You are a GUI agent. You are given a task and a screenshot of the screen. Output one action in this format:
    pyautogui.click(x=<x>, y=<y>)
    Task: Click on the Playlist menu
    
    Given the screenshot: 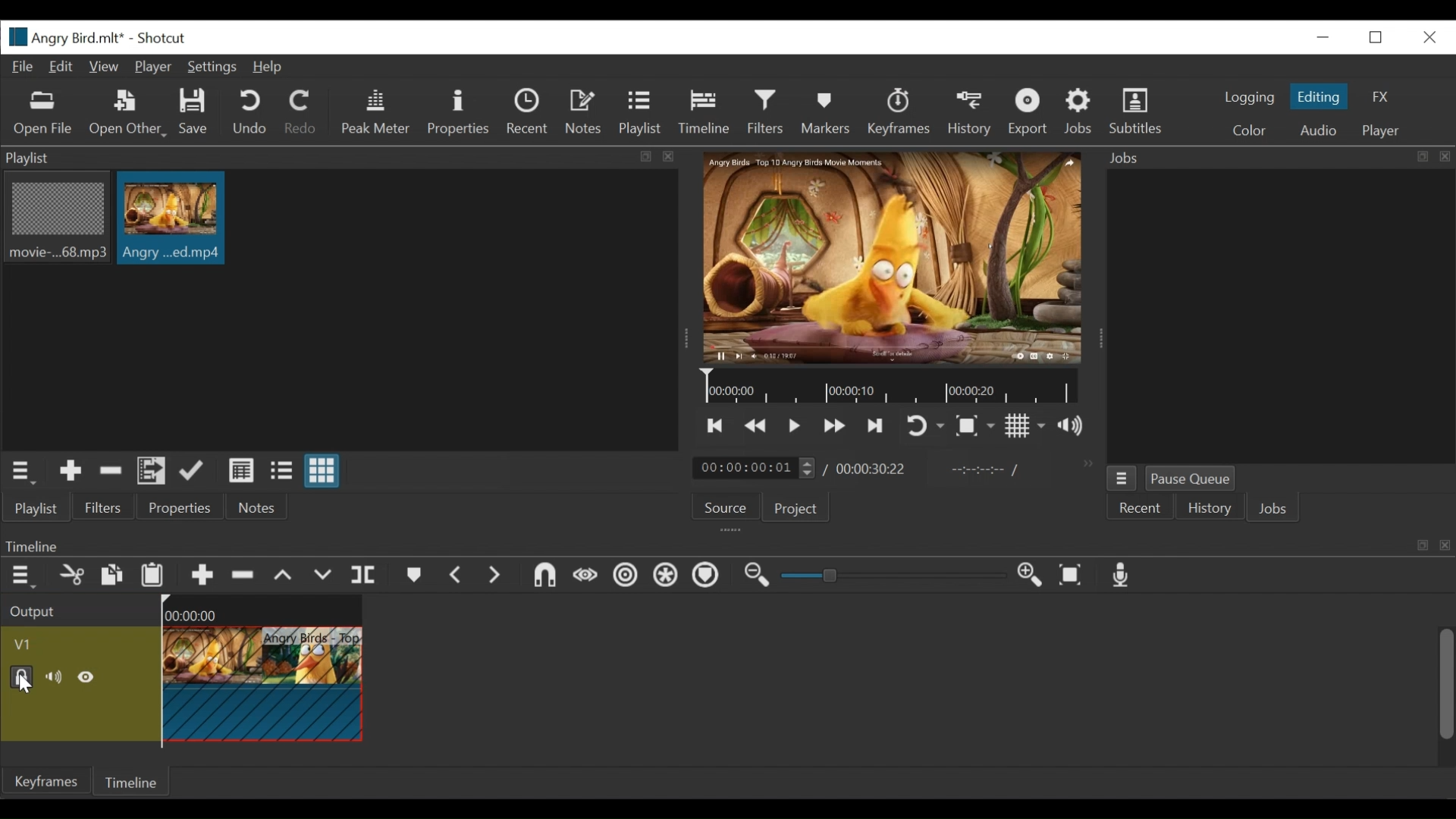 What is the action you would take?
    pyautogui.click(x=24, y=473)
    